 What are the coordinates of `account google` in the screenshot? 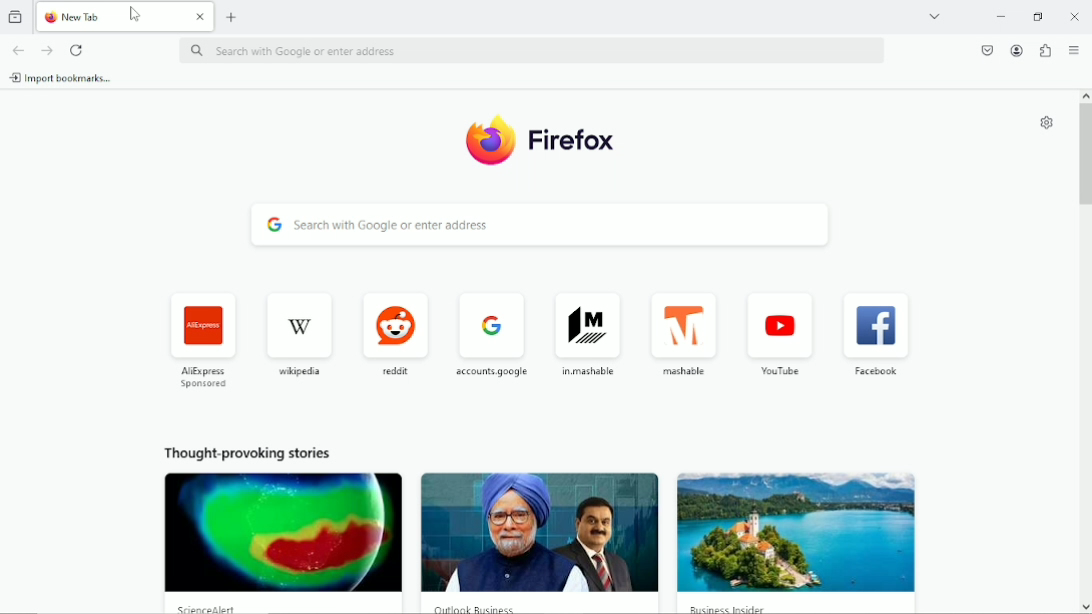 It's located at (486, 328).